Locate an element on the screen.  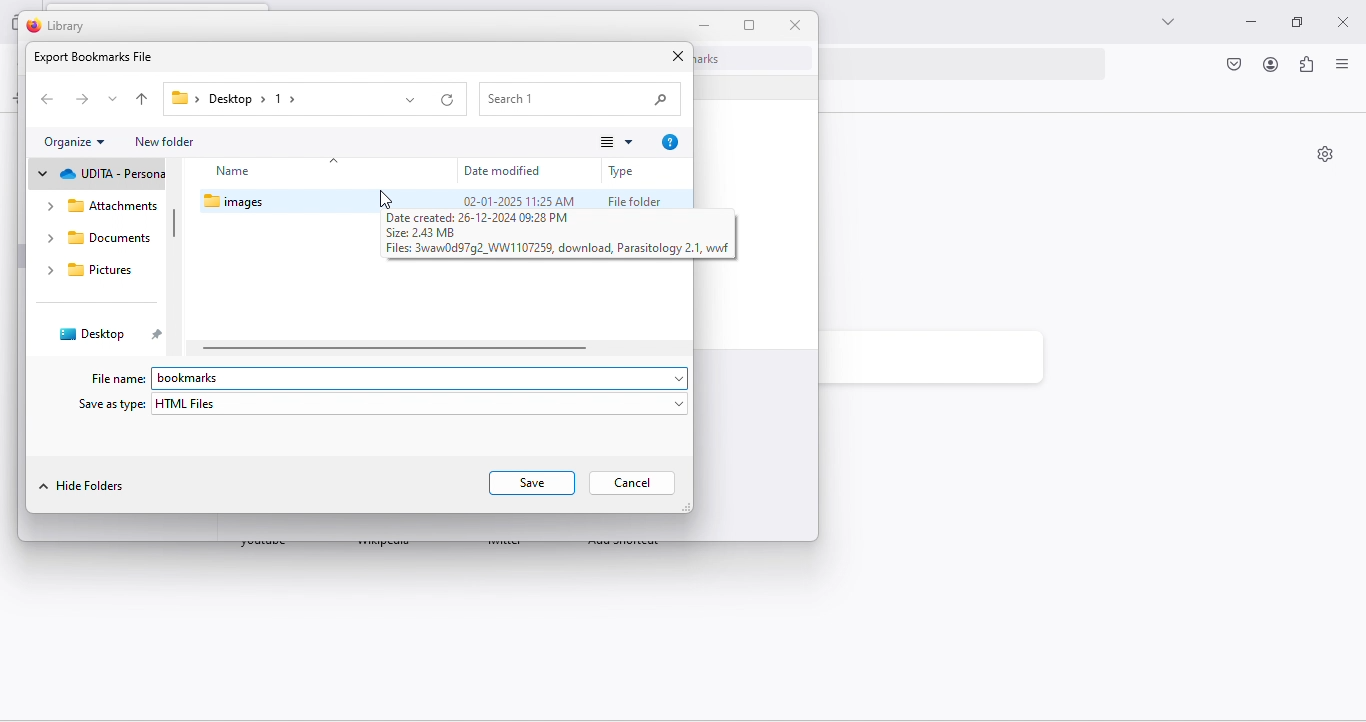
hide folders is located at coordinates (84, 487).